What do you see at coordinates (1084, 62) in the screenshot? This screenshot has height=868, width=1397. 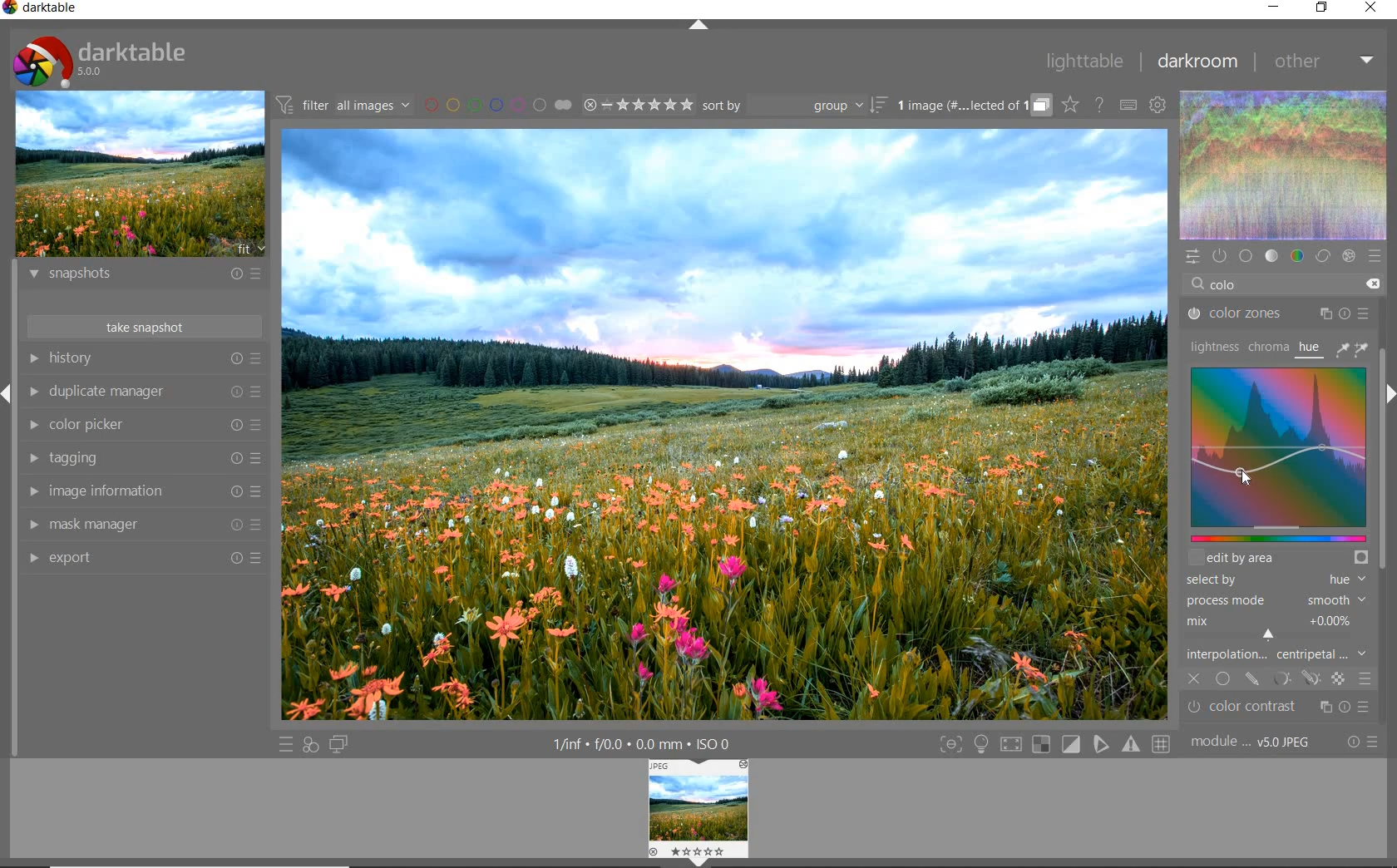 I see `lighttable` at bounding box center [1084, 62].